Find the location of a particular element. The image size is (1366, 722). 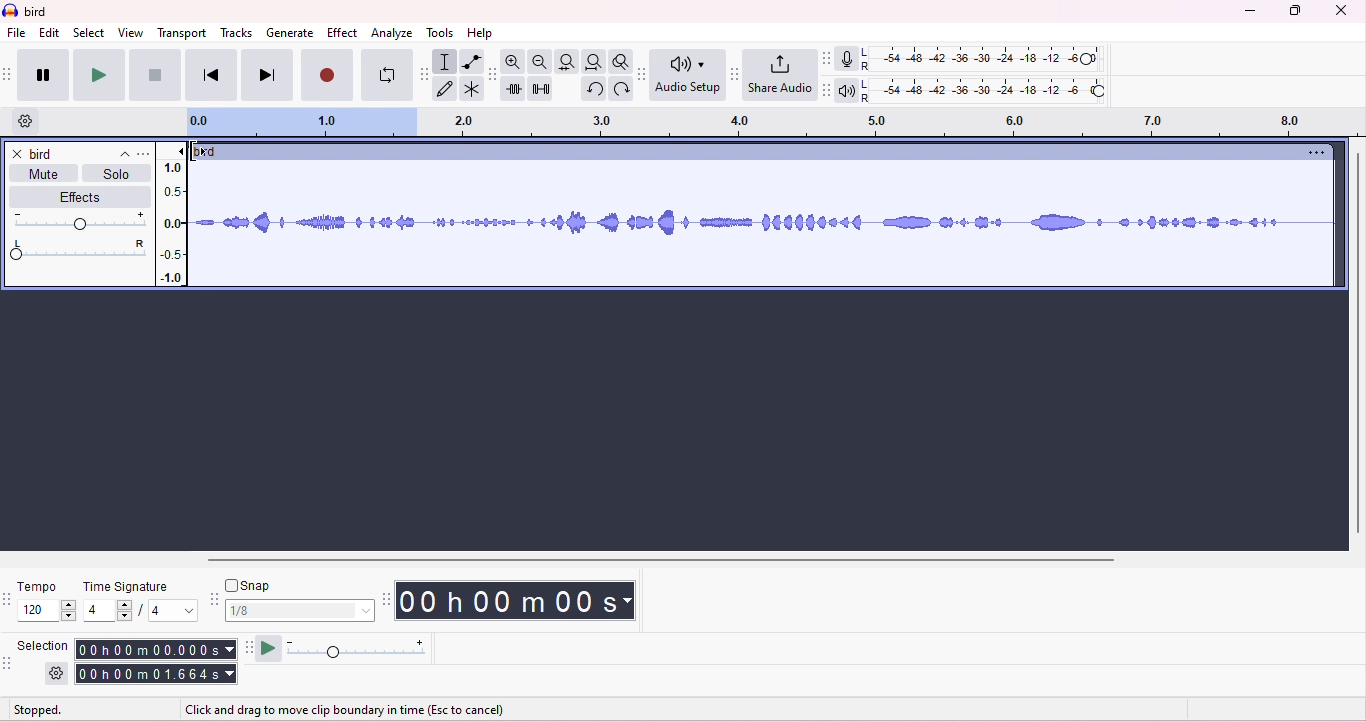

edit tools is located at coordinates (492, 73).